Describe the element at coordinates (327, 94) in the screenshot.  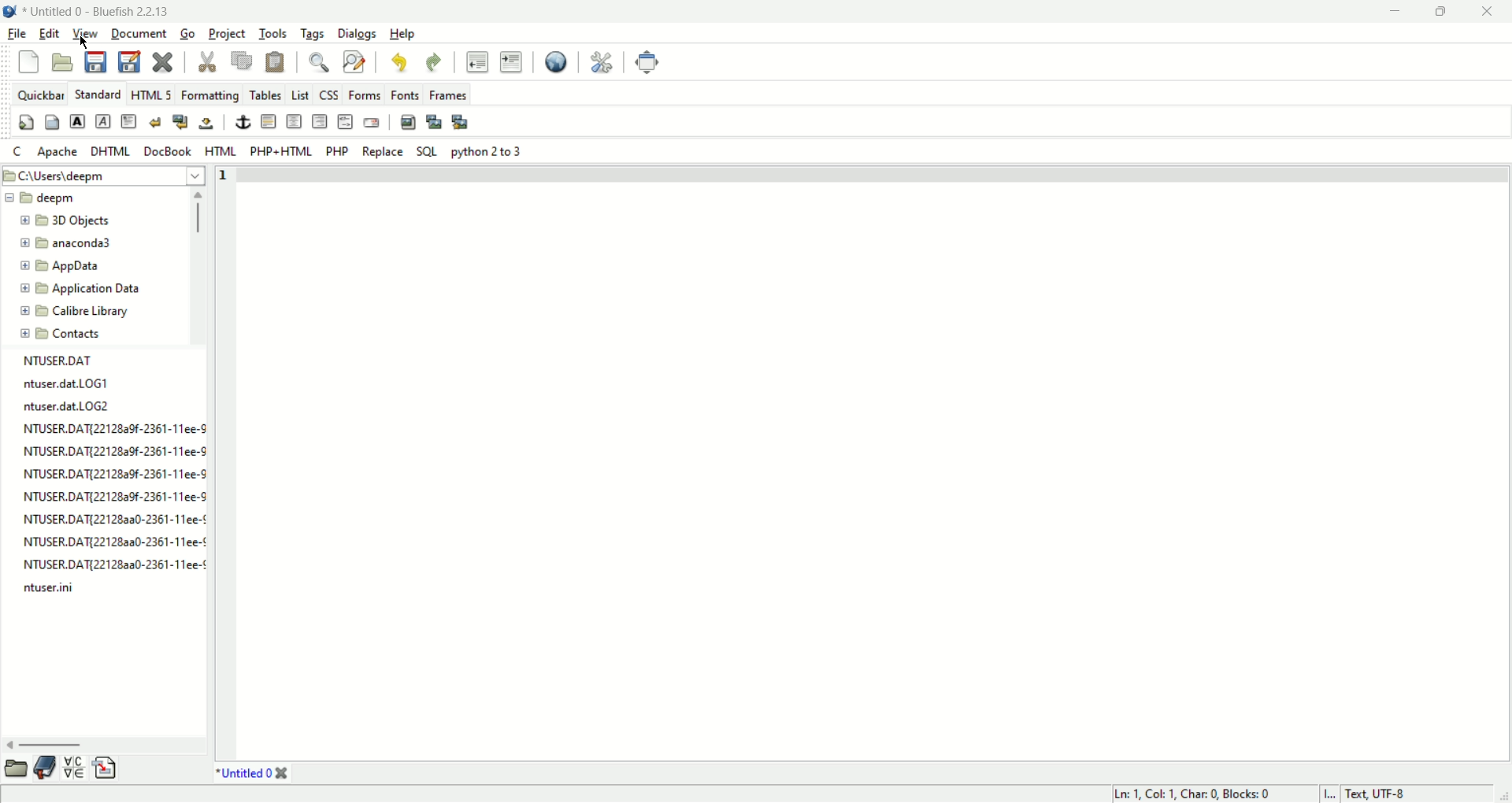
I see `Css` at that location.